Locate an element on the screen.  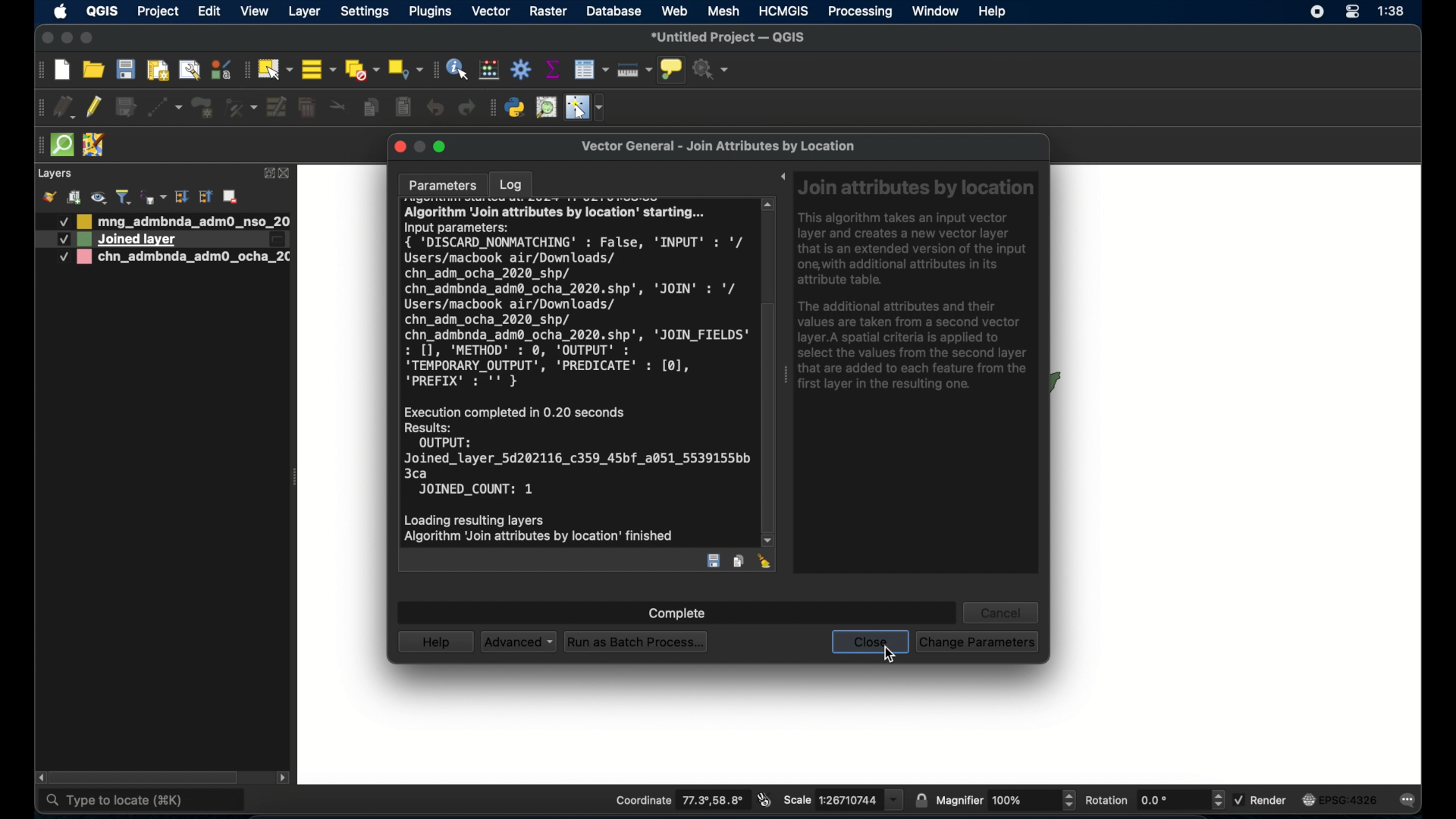
osm place search is located at coordinates (547, 108).